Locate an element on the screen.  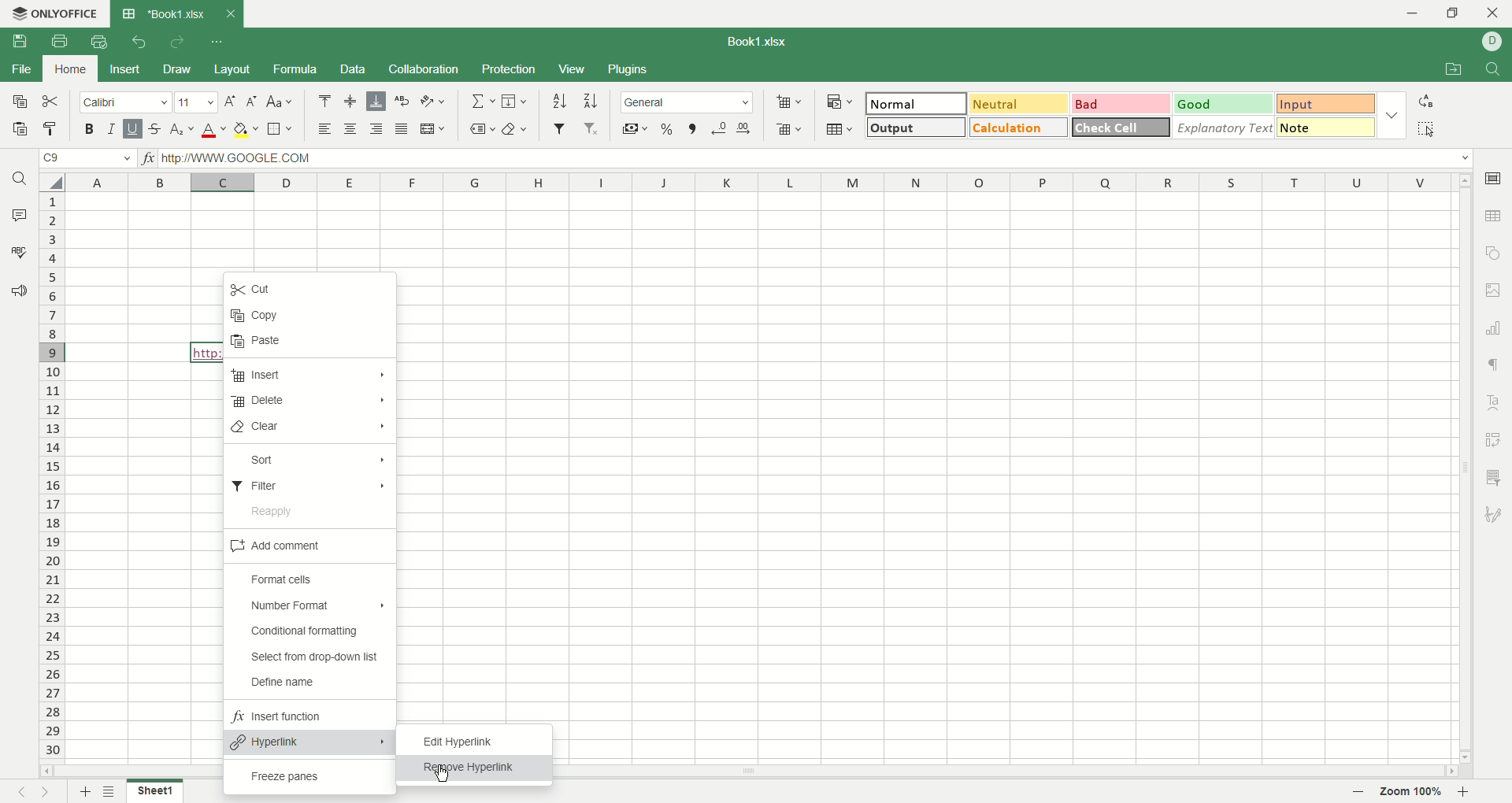
paste is located at coordinates (267, 342).